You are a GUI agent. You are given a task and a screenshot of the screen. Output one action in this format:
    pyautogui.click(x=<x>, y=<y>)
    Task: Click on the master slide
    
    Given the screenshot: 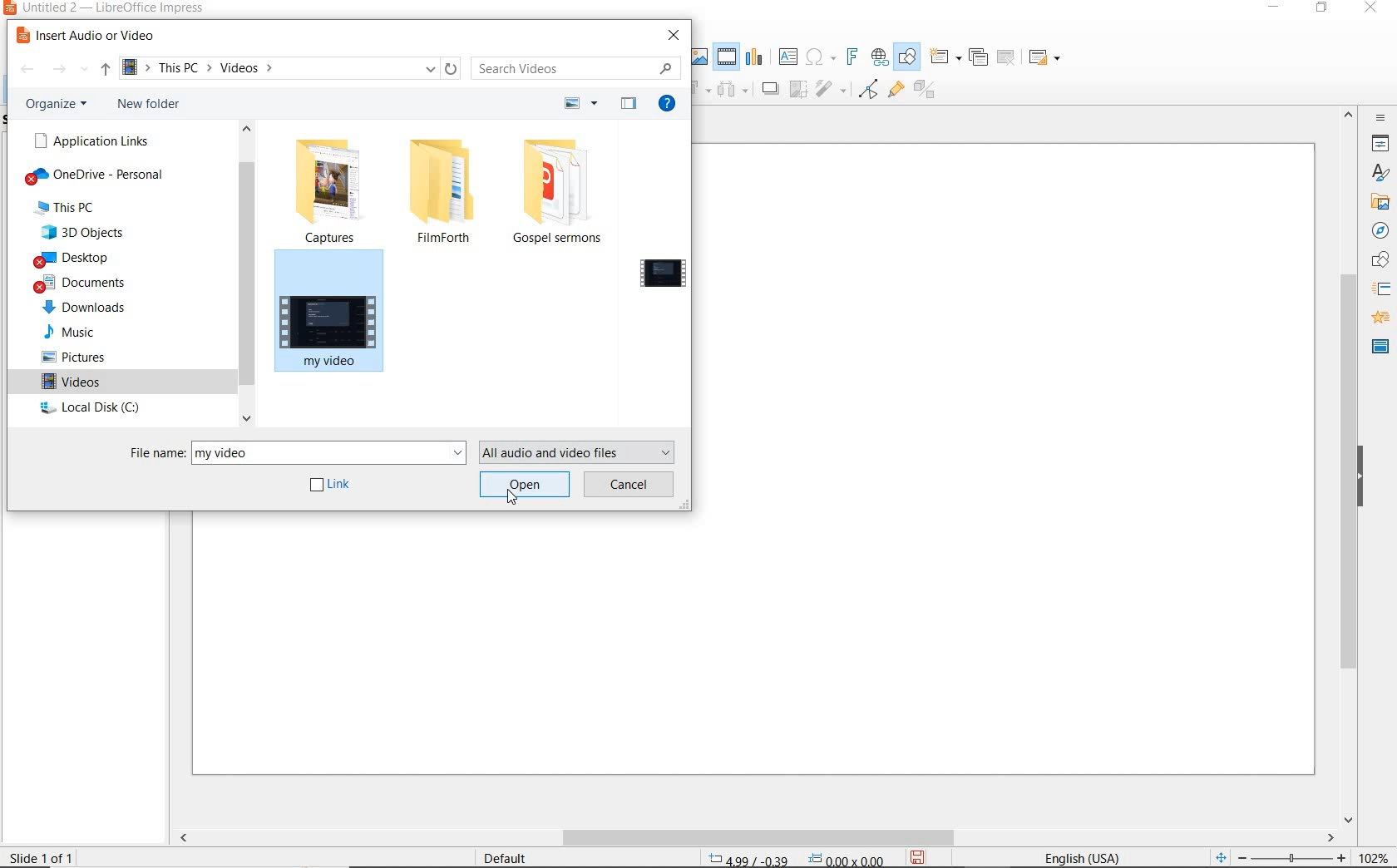 What is the action you would take?
    pyautogui.click(x=1377, y=345)
    